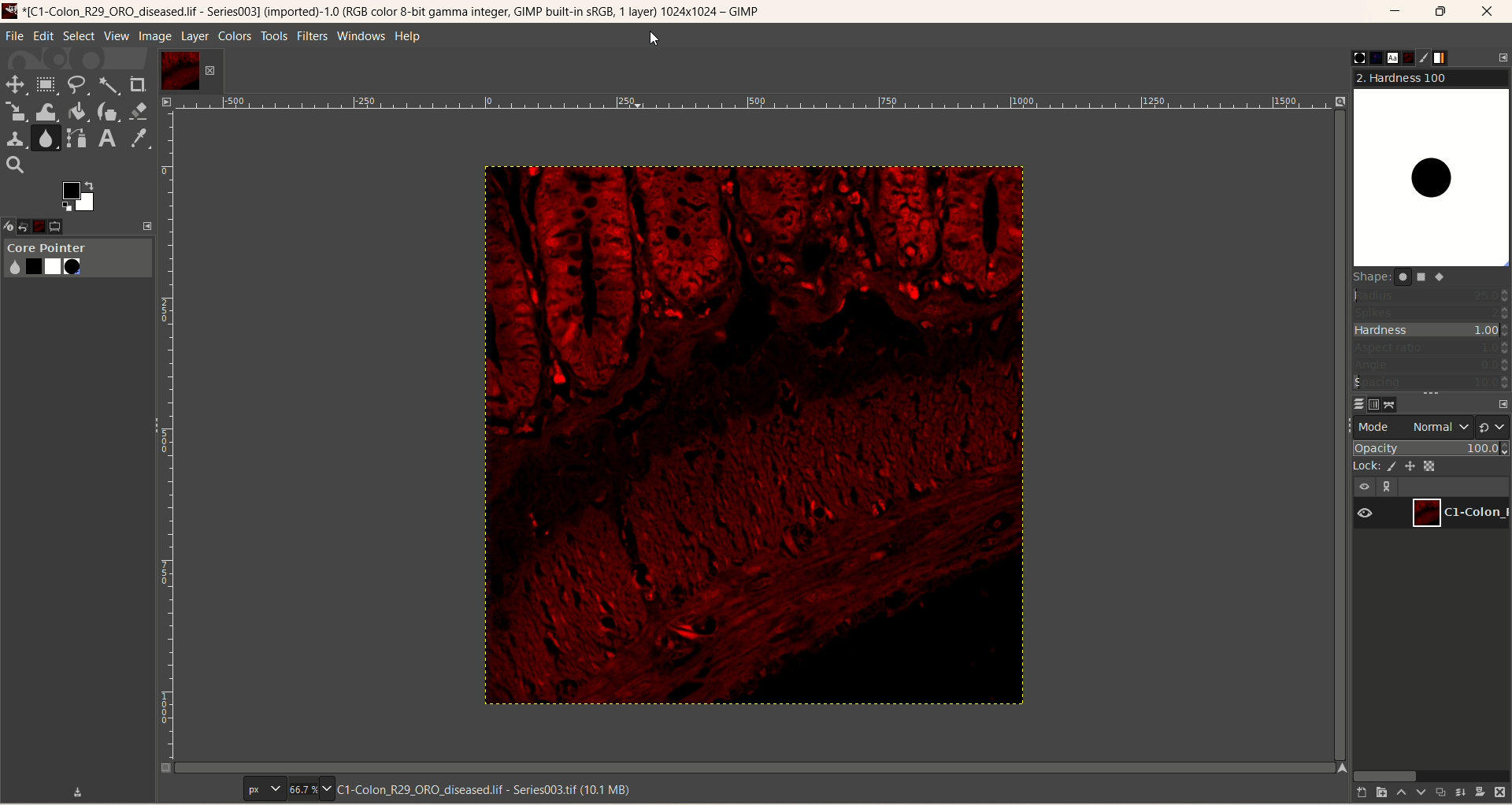  I want to click on angle, so click(1432, 365).